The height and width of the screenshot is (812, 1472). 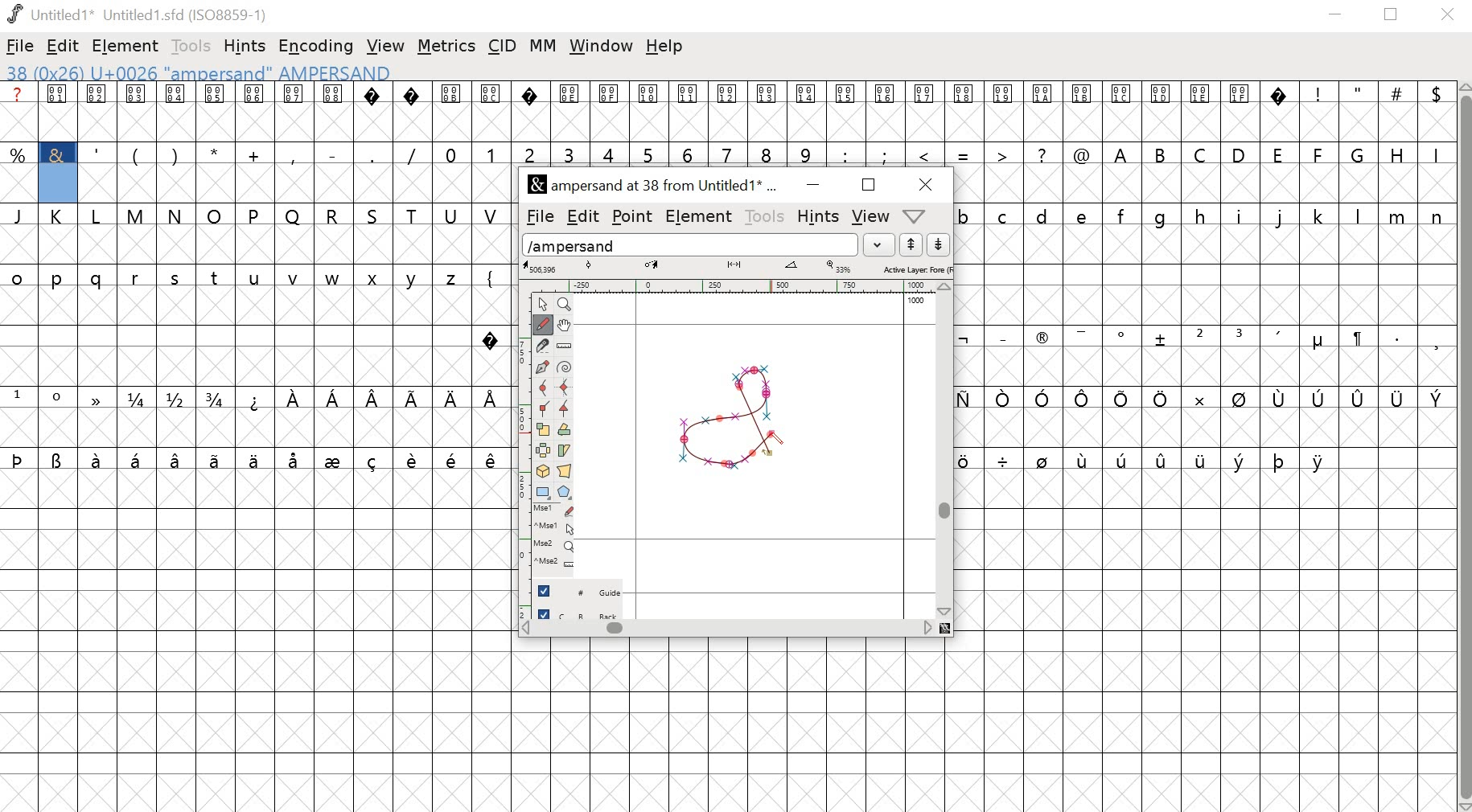 I want to click on ), so click(x=175, y=154).